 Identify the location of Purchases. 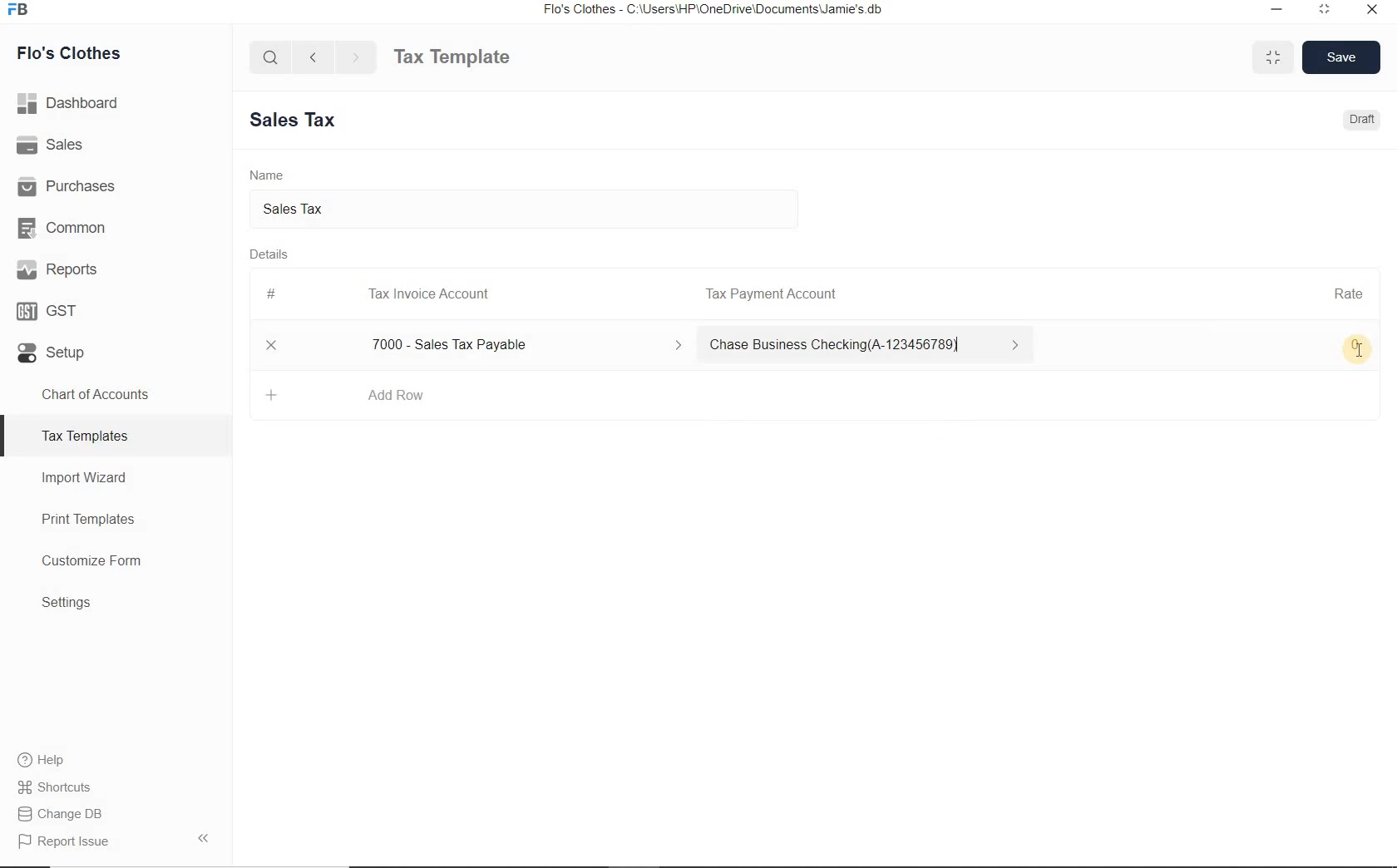
(116, 184).